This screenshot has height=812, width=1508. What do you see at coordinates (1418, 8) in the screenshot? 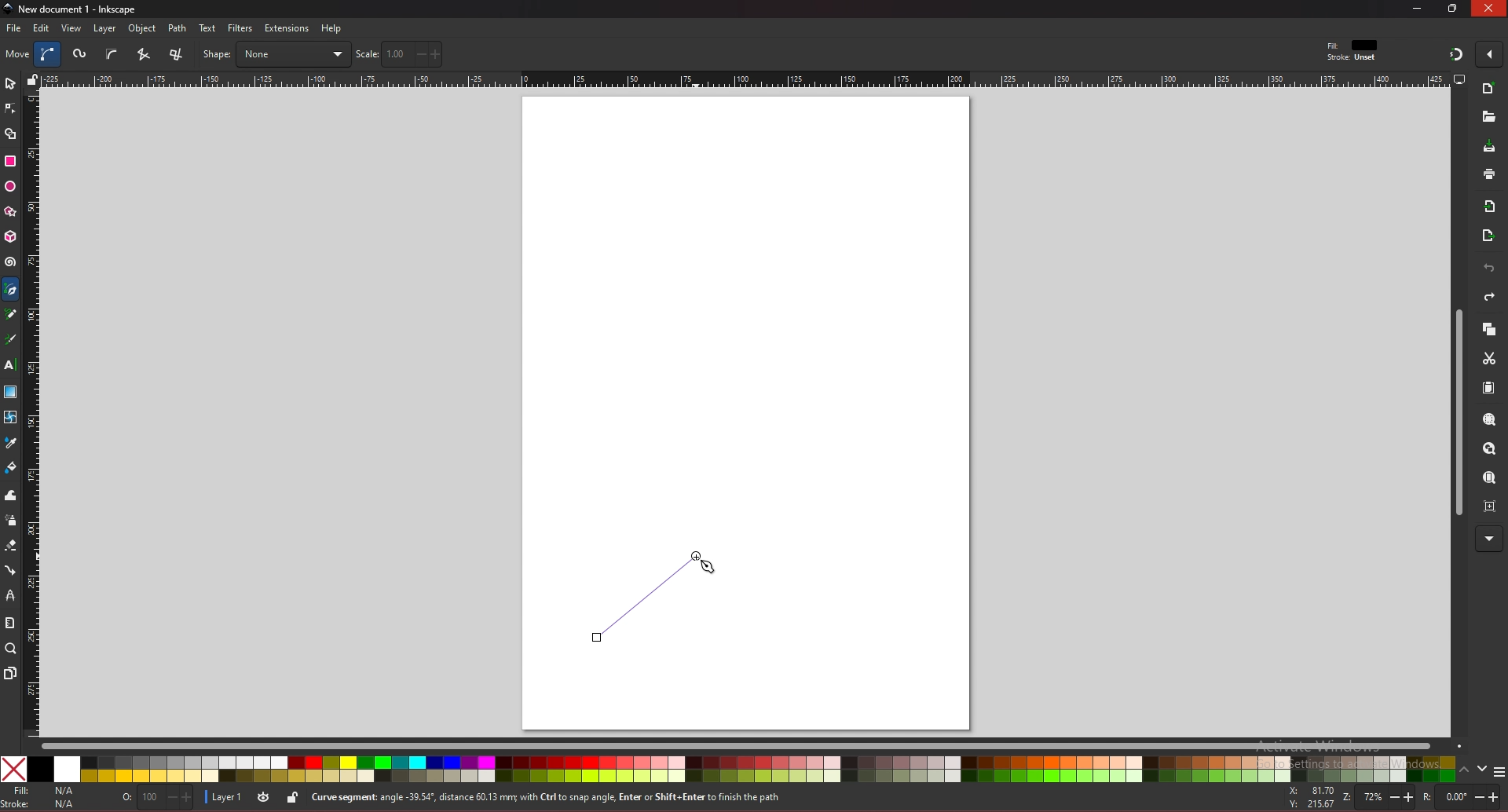
I see `minimize` at bounding box center [1418, 8].